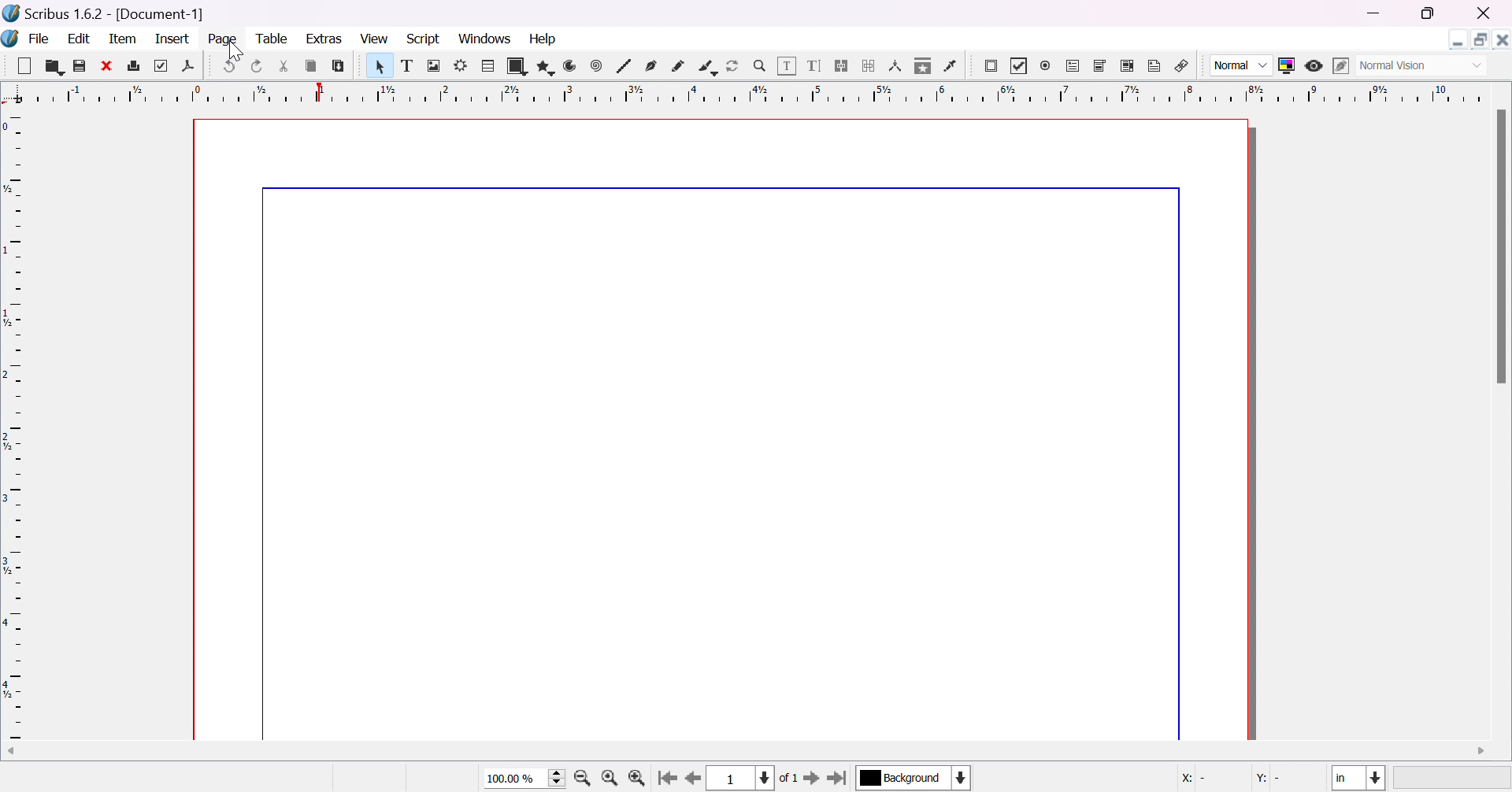  Describe the element at coordinates (869, 66) in the screenshot. I see `unlink text frames` at that location.